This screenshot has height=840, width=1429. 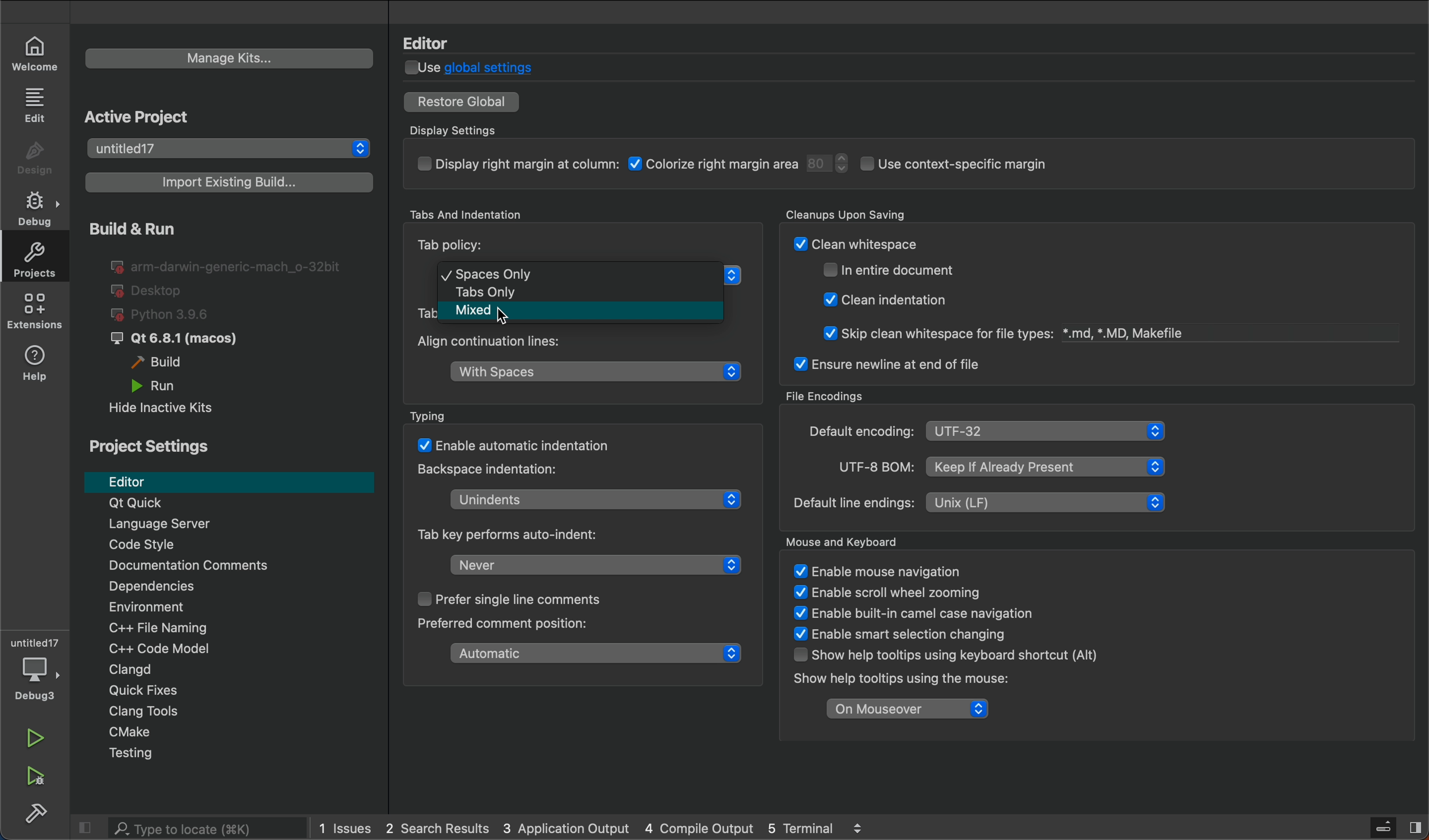 I want to click on ensure newline at end , so click(x=886, y=364).